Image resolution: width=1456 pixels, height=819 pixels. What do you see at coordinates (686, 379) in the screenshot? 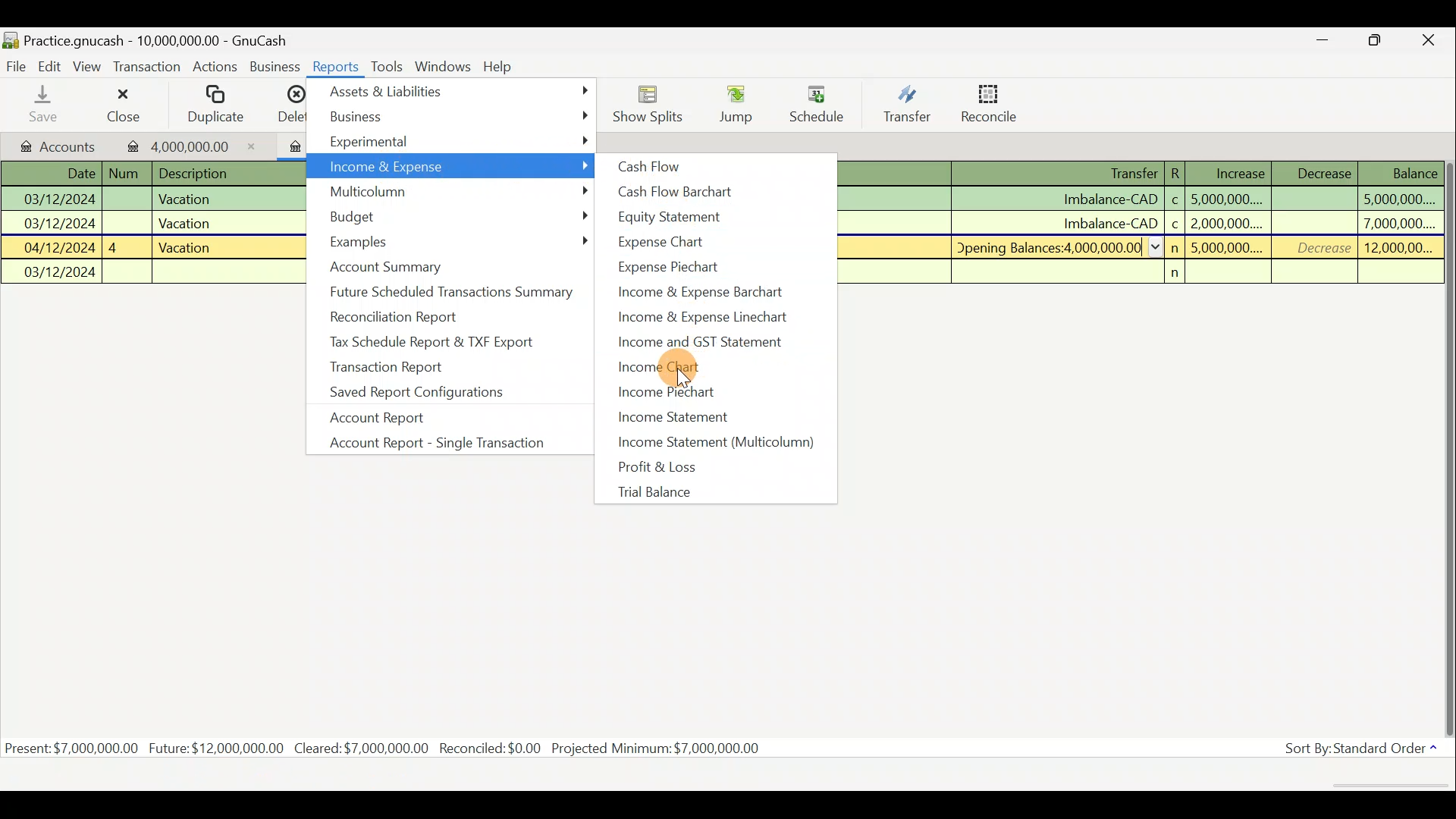
I see `cursor` at bounding box center [686, 379].